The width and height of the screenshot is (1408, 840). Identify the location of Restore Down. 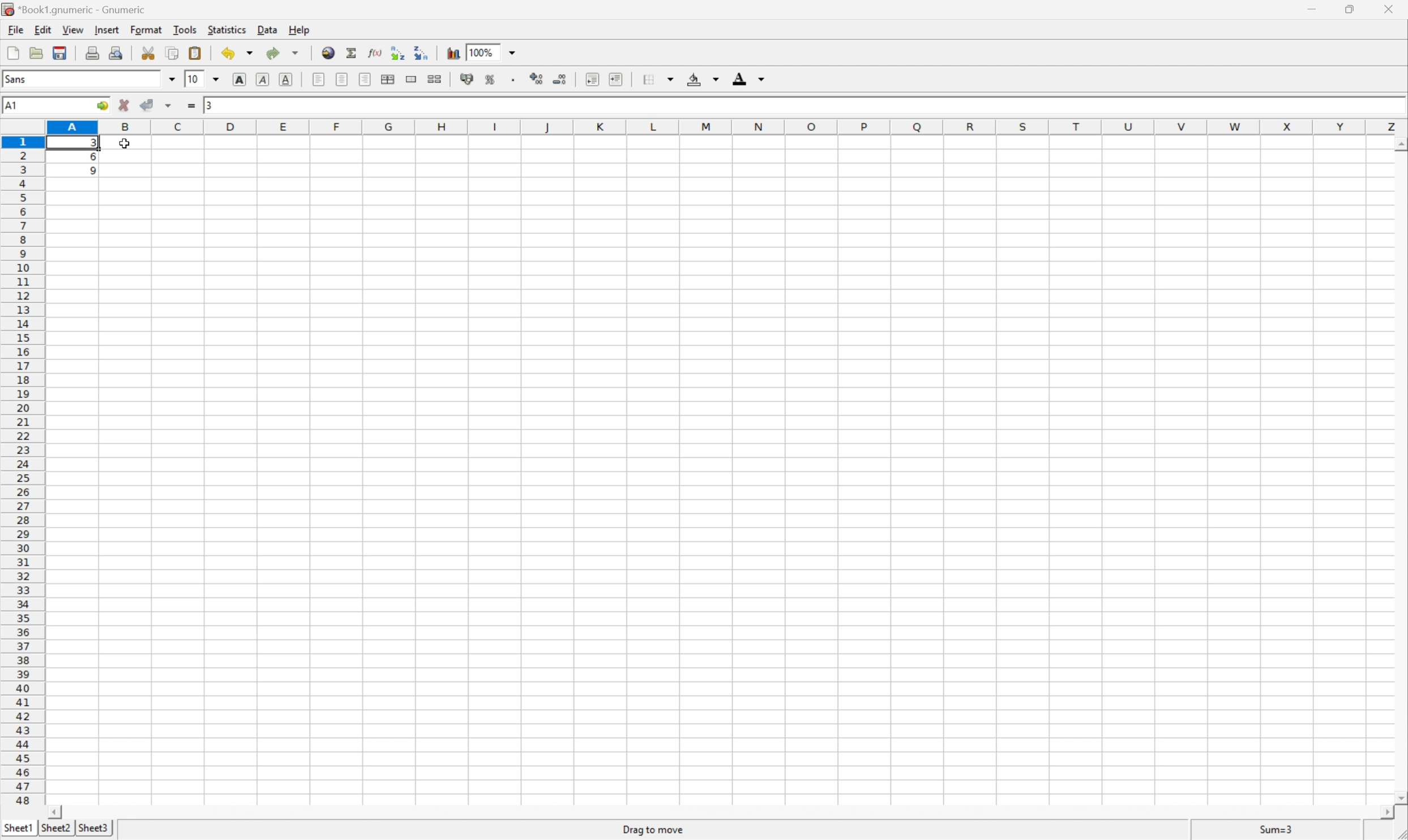
(1350, 9).